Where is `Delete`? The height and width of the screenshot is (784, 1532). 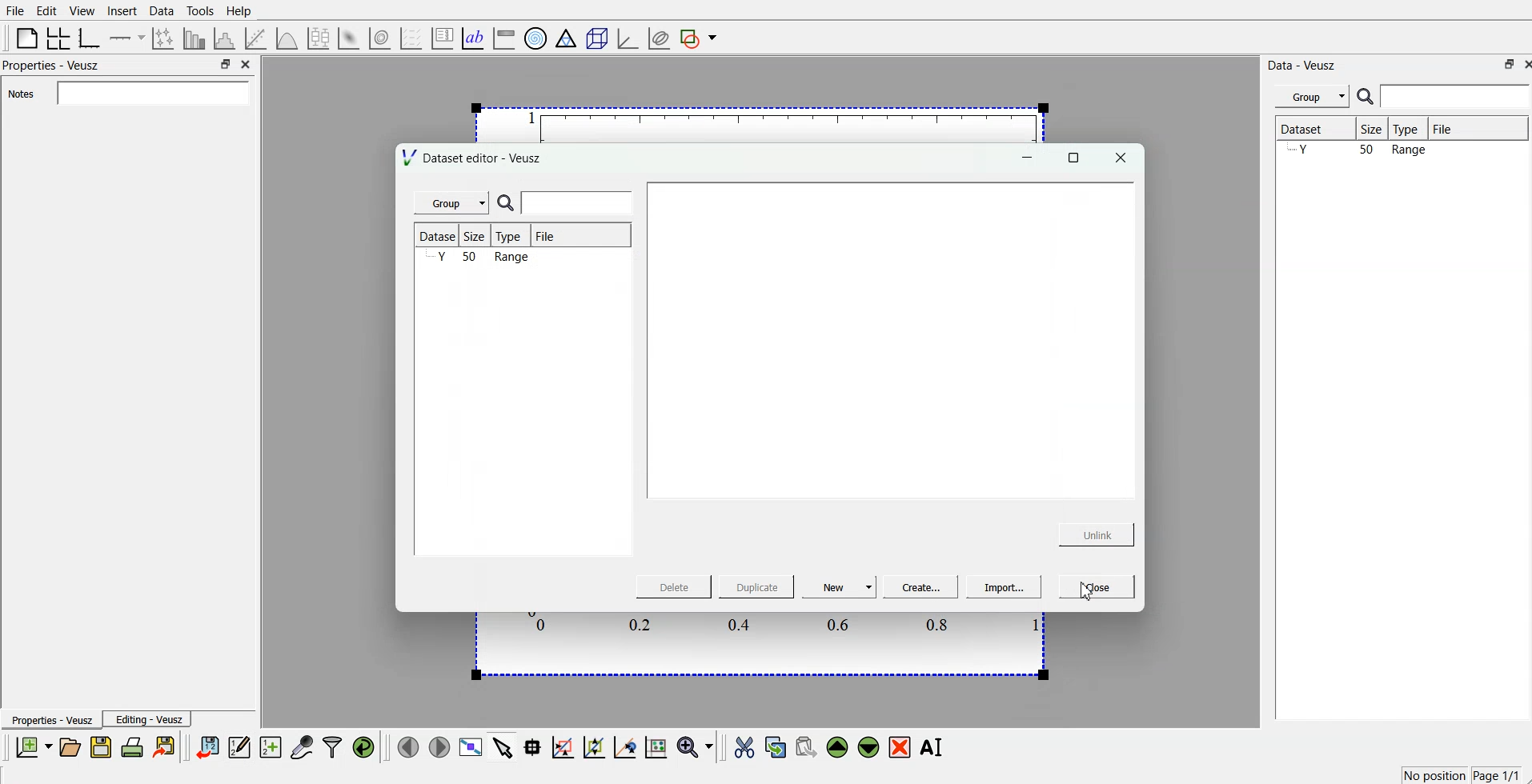
Delete is located at coordinates (676, 587).